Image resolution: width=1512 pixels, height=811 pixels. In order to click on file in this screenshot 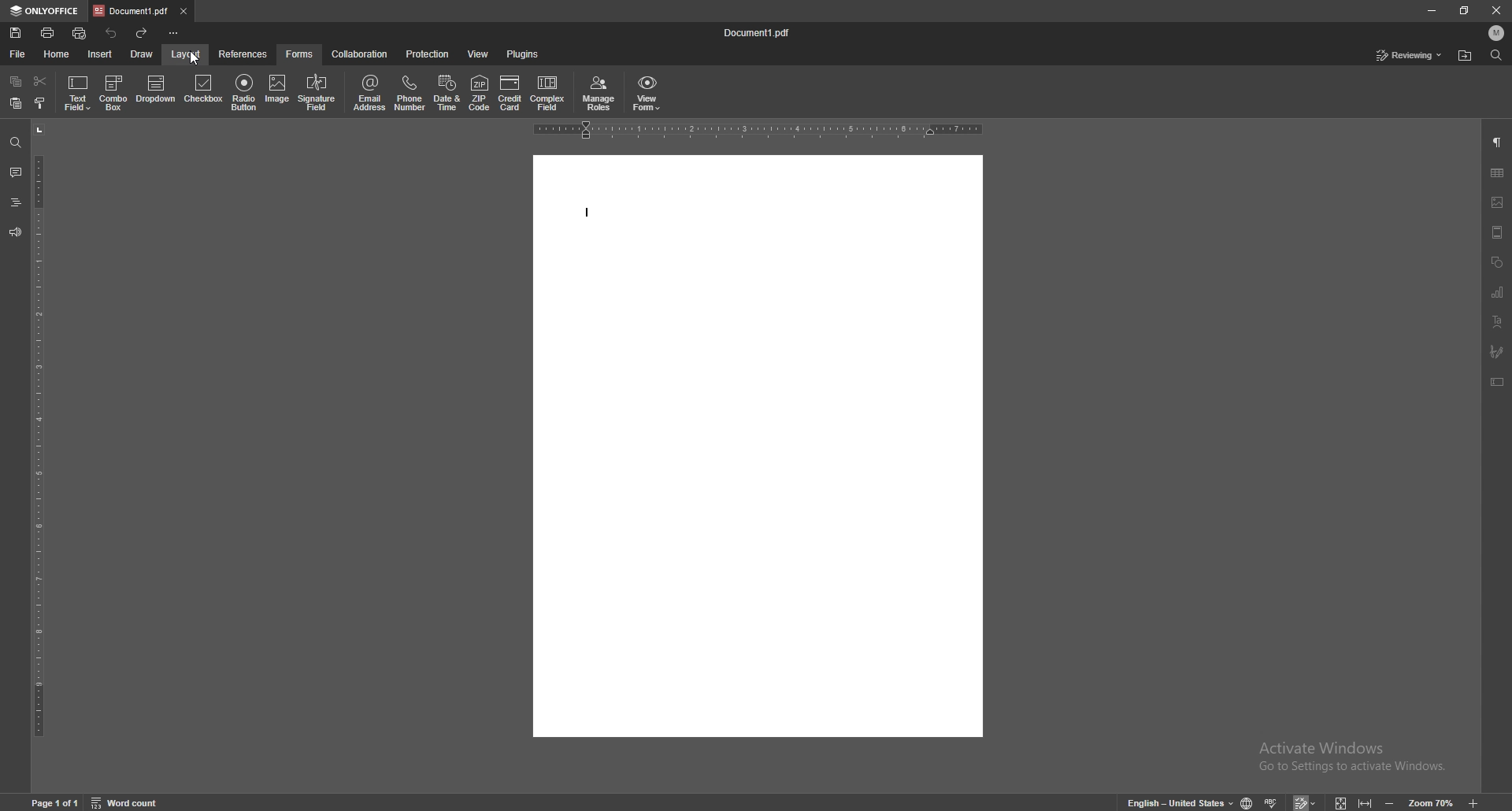, I will do `click(18, 55)`.